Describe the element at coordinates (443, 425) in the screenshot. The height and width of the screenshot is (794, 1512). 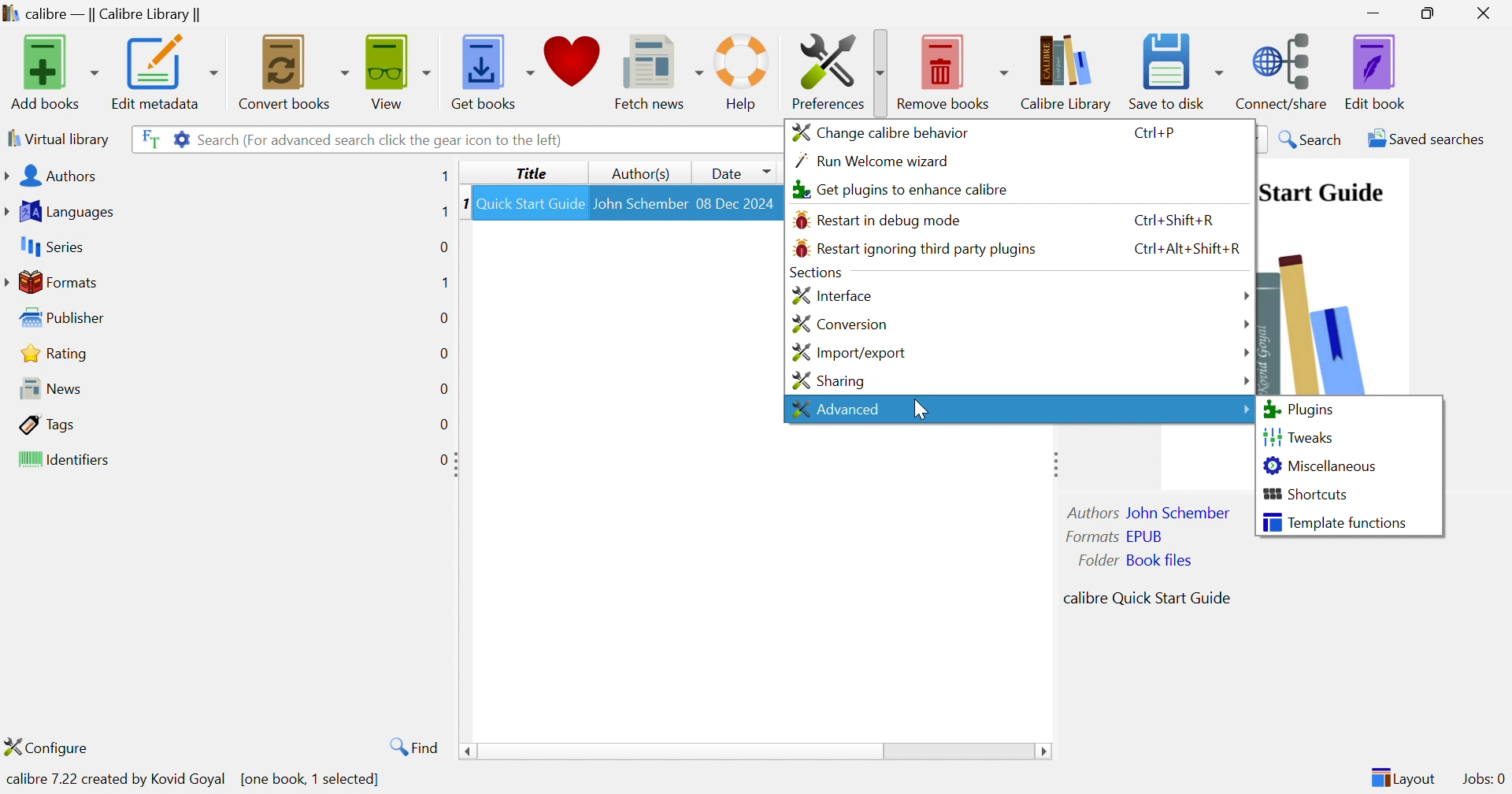
I see `0` at that location.